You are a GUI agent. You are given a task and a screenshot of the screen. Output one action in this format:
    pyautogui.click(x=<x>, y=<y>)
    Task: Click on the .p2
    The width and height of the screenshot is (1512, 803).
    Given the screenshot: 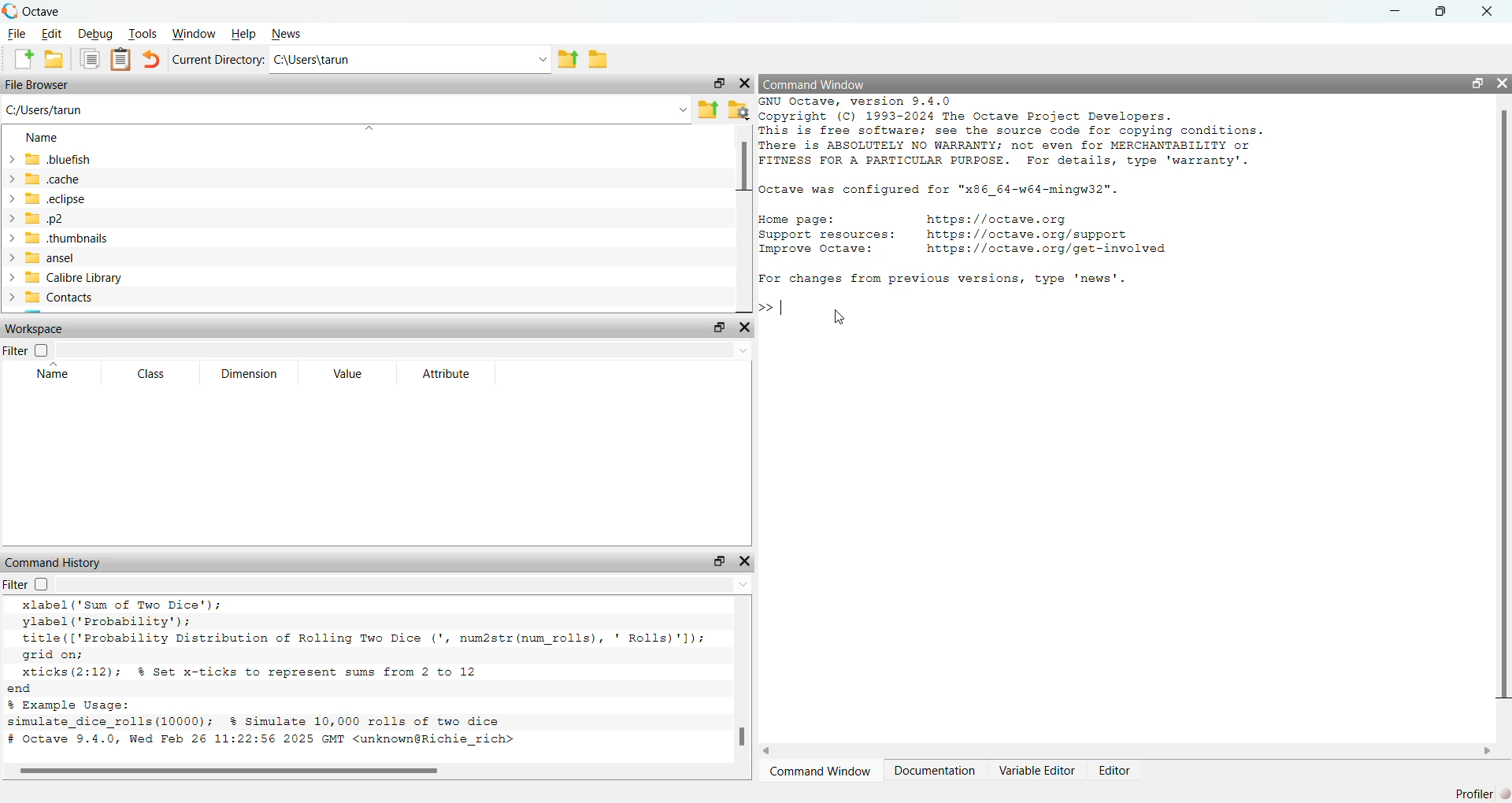 What is the action you would take?
    pyautogui.click(x=36, y=220)
    